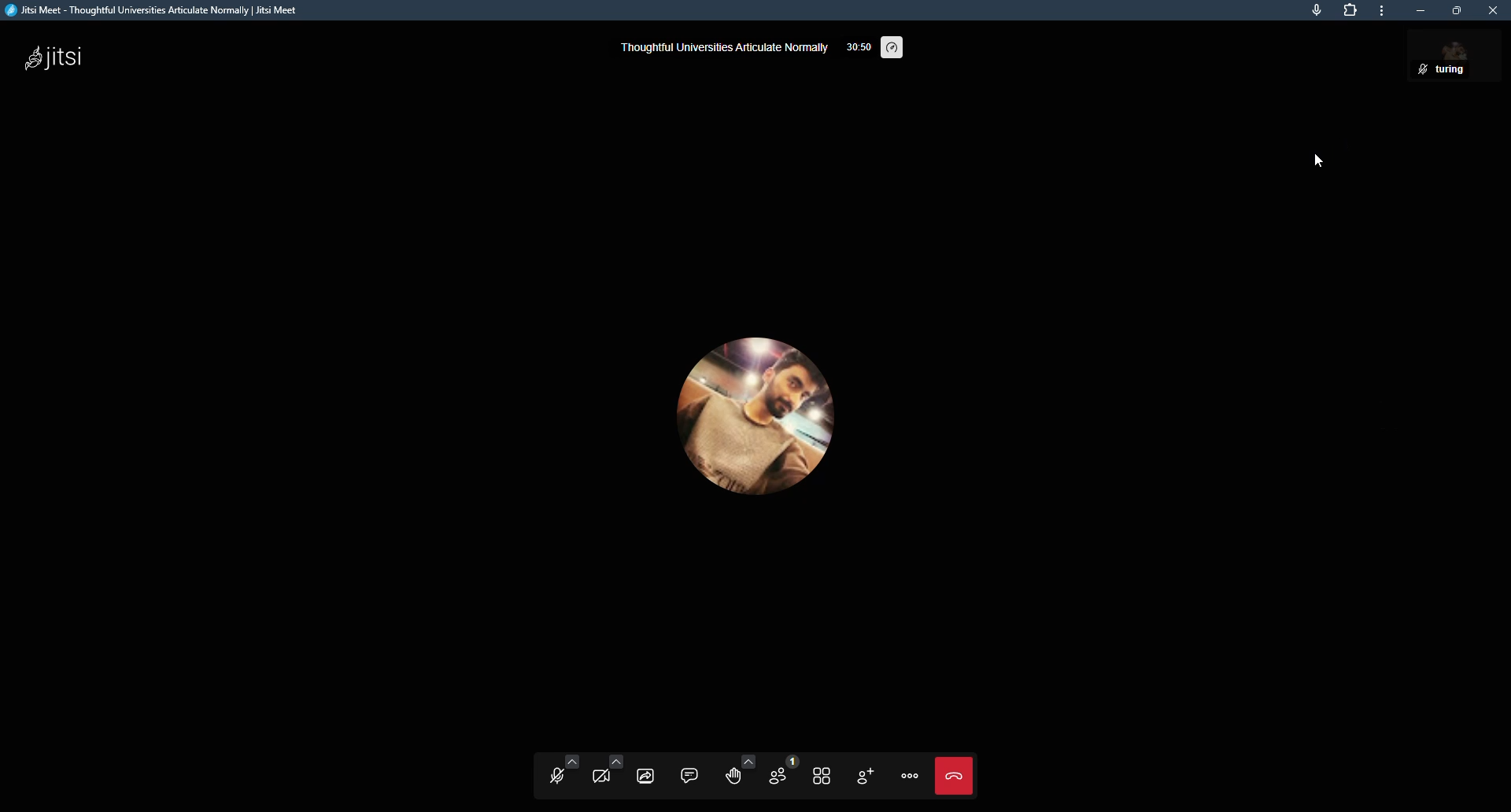 The height and width of the screenshot is (812, 1511). Describe the element at coordinates (955, 775) in the screenshot. I see `Leave meeting` at that location.